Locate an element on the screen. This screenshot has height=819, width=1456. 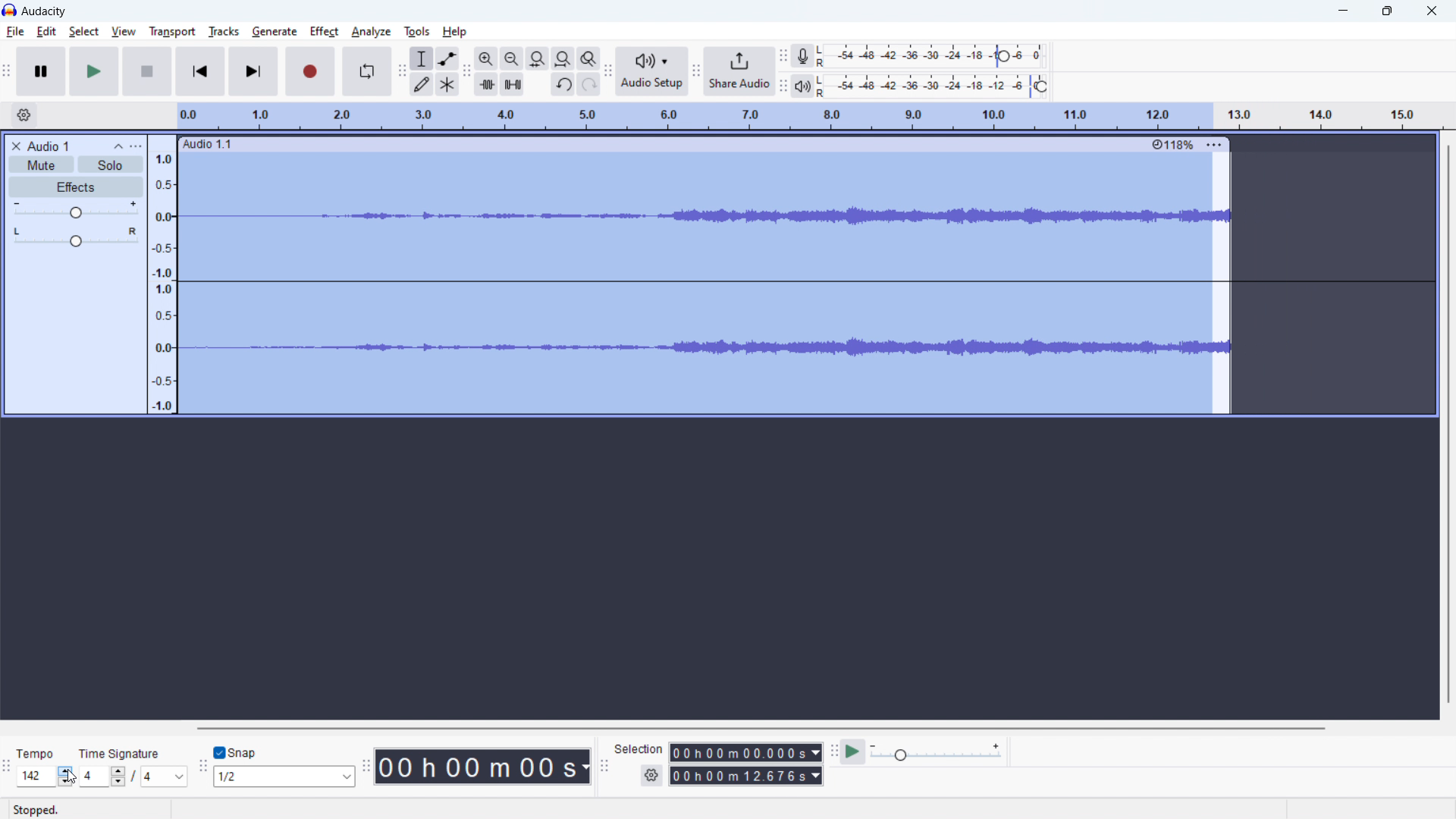
view is located at coordinates (124, 31).